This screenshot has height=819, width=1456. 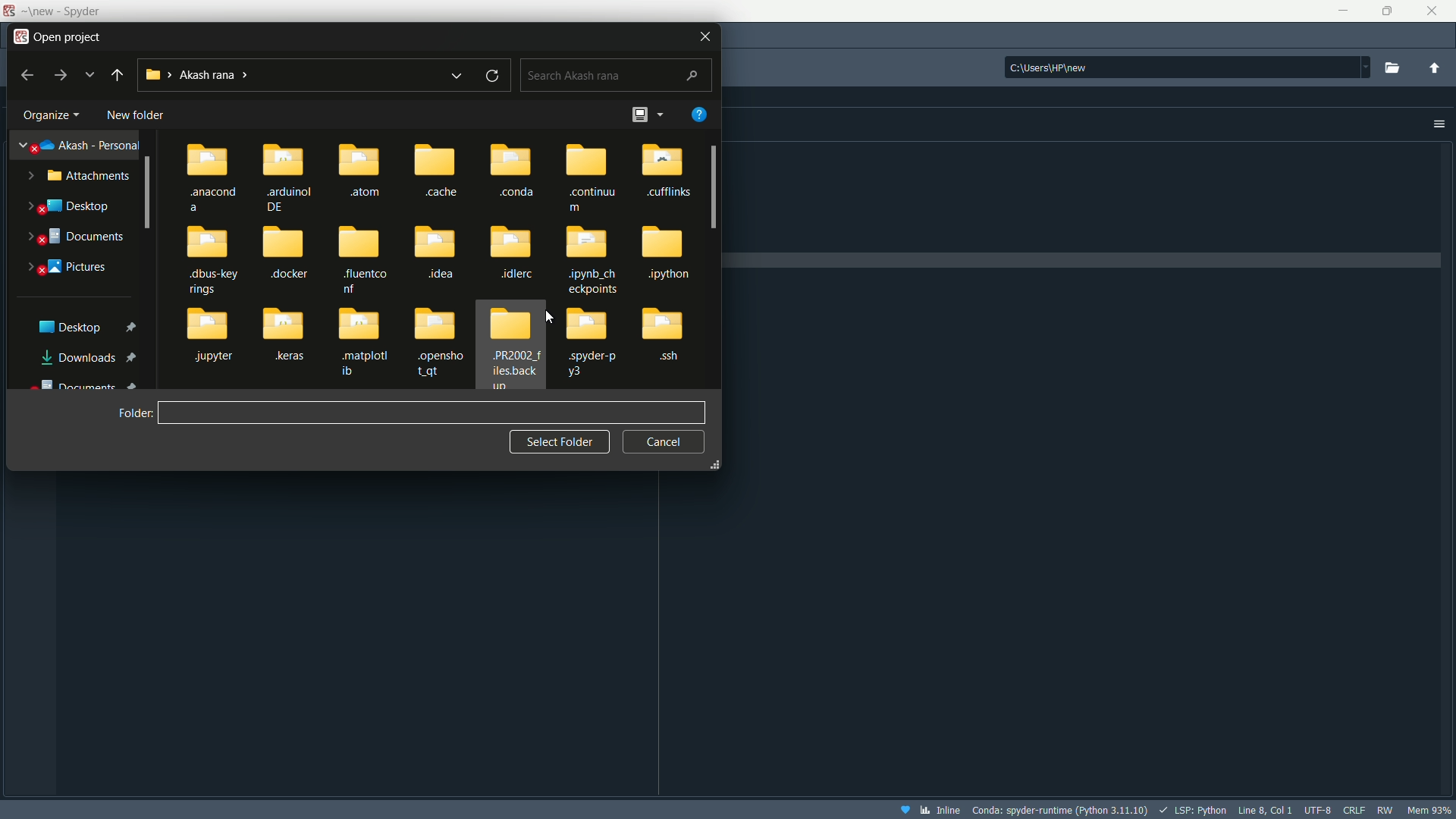 I want to click on maximize, so click(x=1382, y=11).